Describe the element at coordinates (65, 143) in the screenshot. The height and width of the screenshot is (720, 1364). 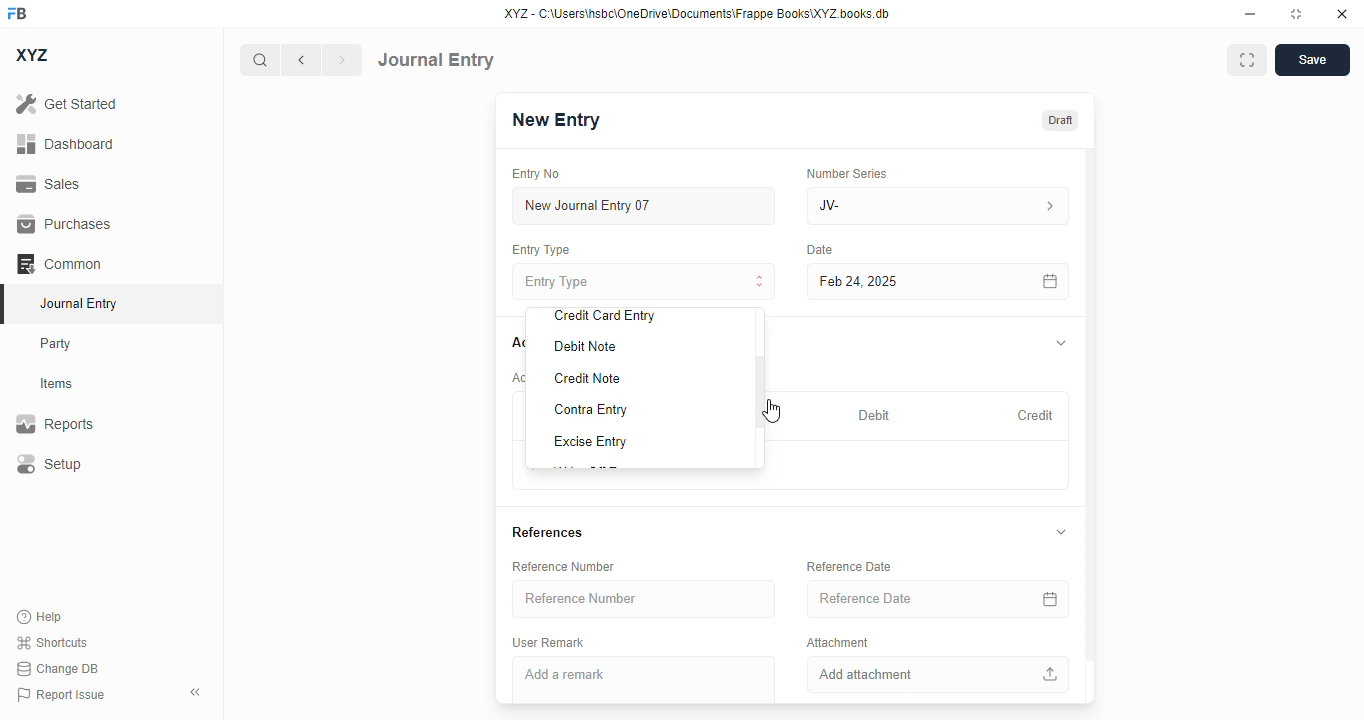
I see `dashboard` at that location.